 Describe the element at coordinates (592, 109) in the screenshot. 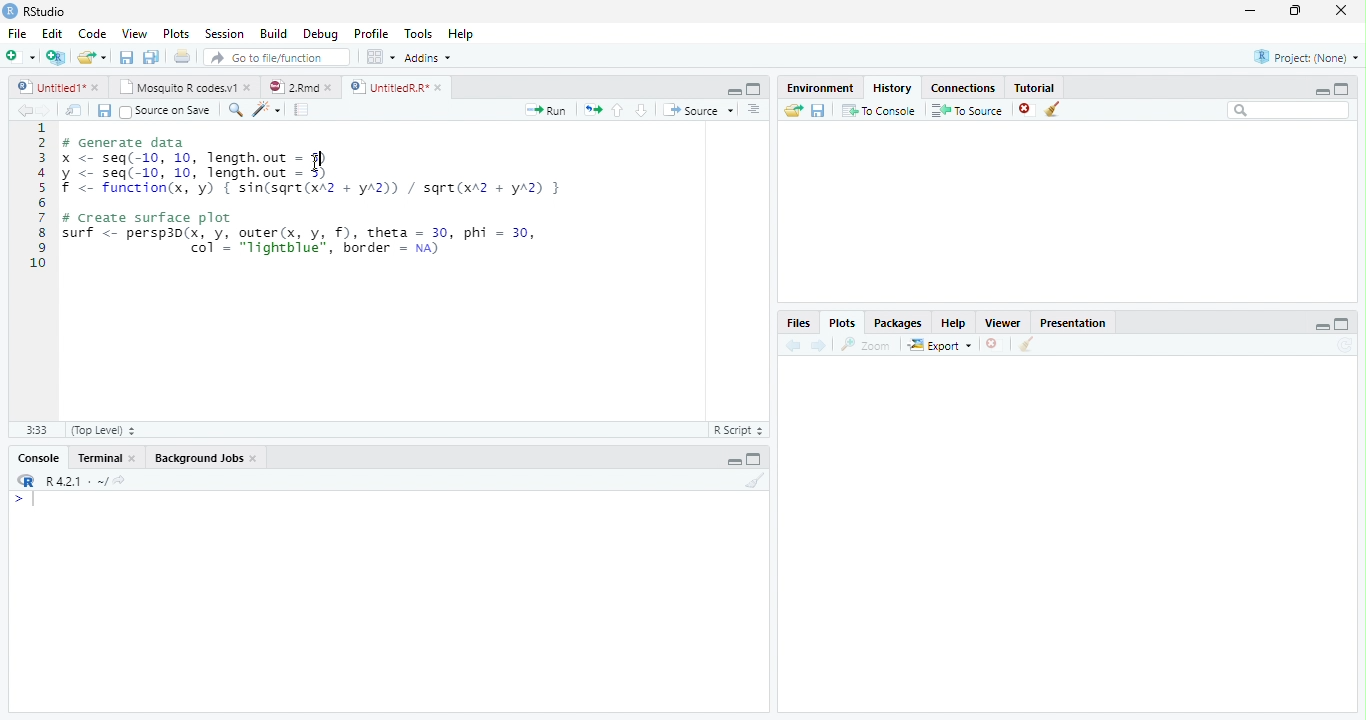

I see `Re-run the previous code region` at that location.